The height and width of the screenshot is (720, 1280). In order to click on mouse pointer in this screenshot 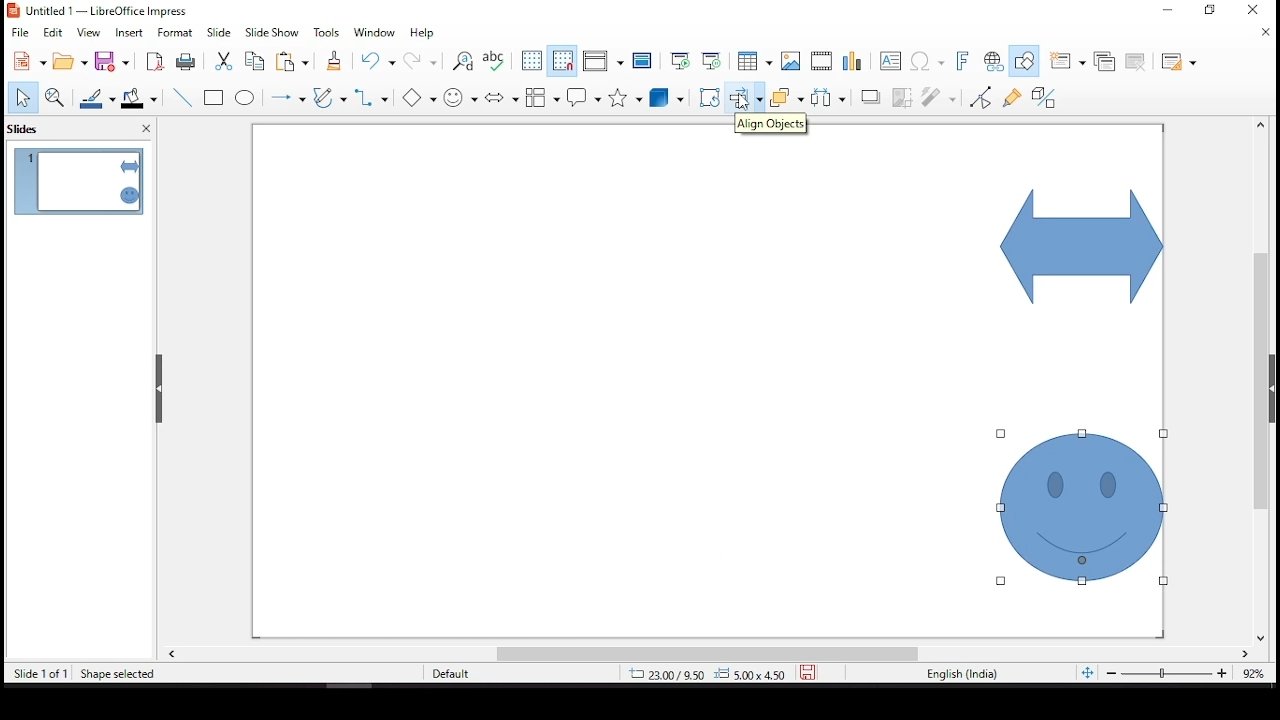, I will do `click(745, 102)`.